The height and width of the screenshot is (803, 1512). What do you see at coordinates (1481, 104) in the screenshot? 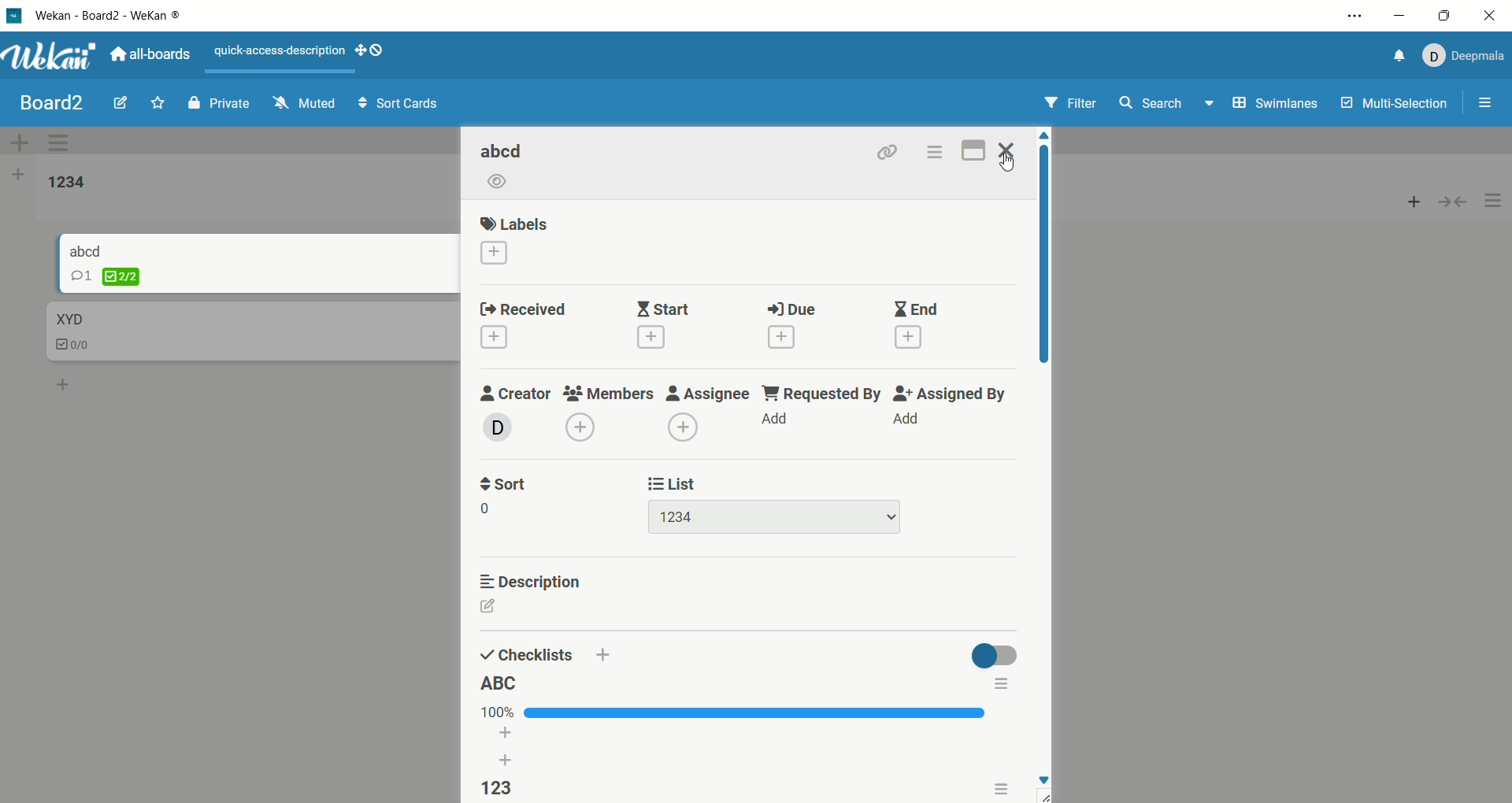
I see `options` at bounding box center [1481, 104].